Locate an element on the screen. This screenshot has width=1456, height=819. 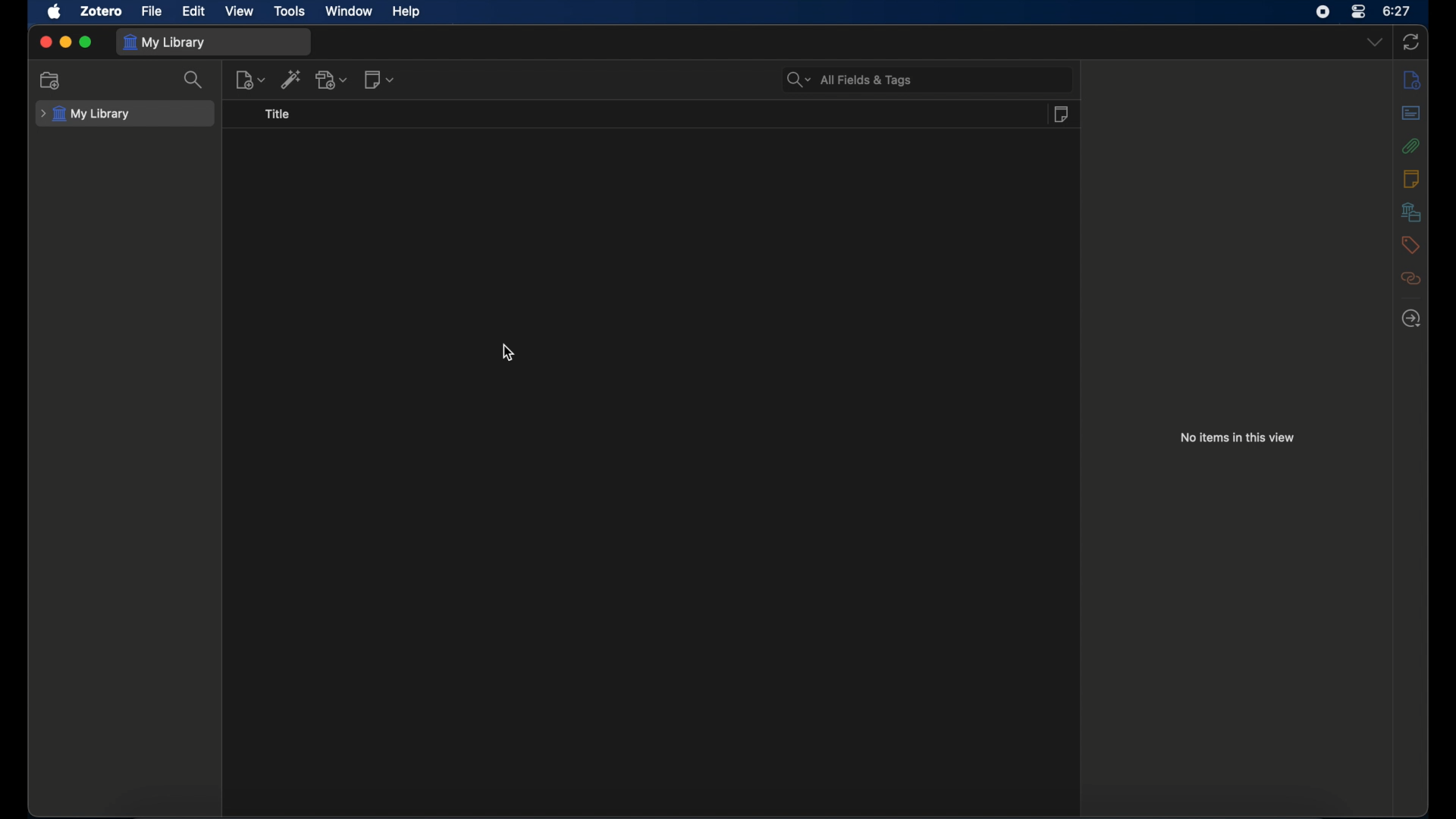
info is located at coordinates (1412, 178).